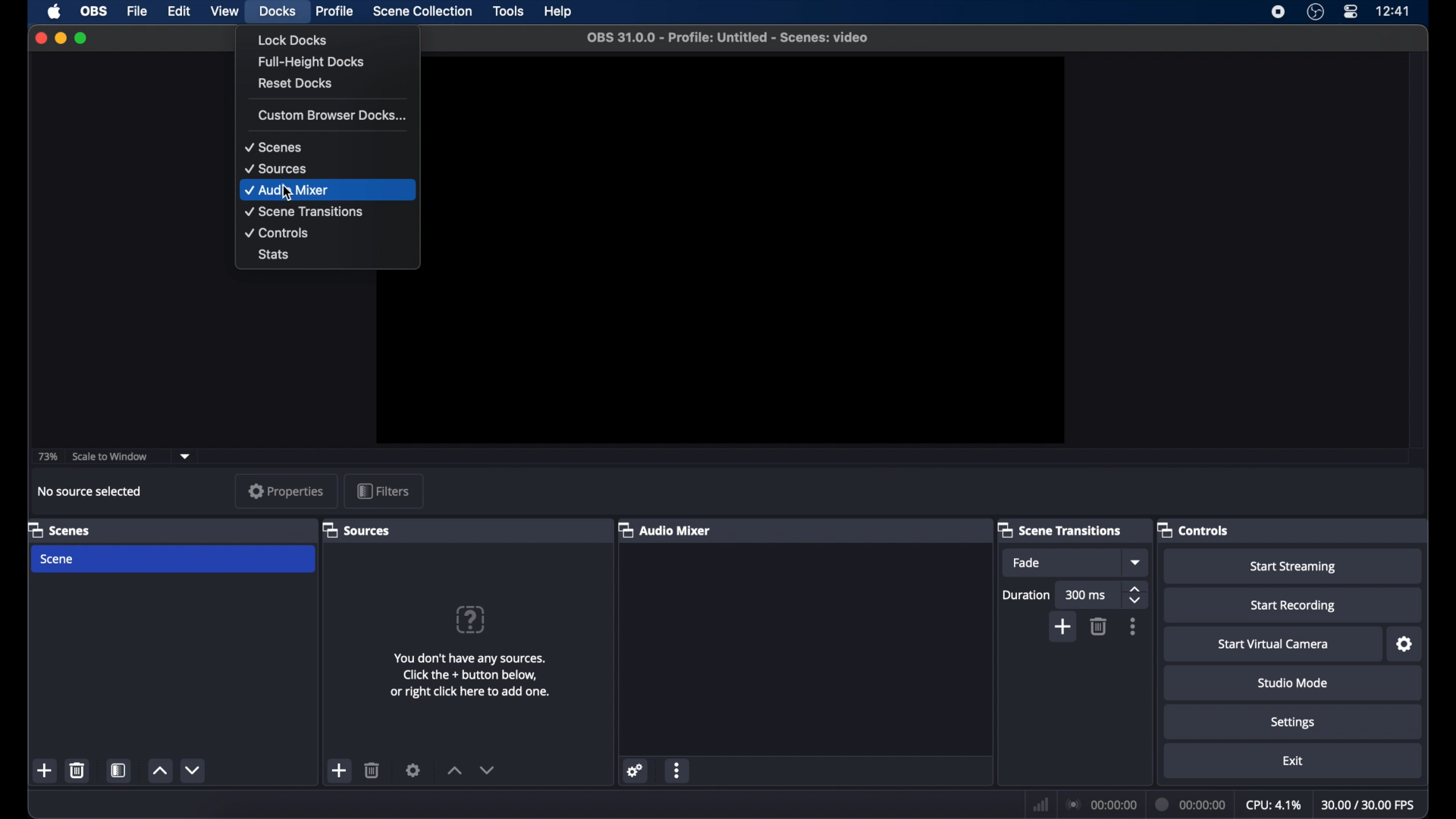  What do you see at coordinates (1188, 804) in the screenshot?
I see `00:00:00` at bounding box center [1188, 804].